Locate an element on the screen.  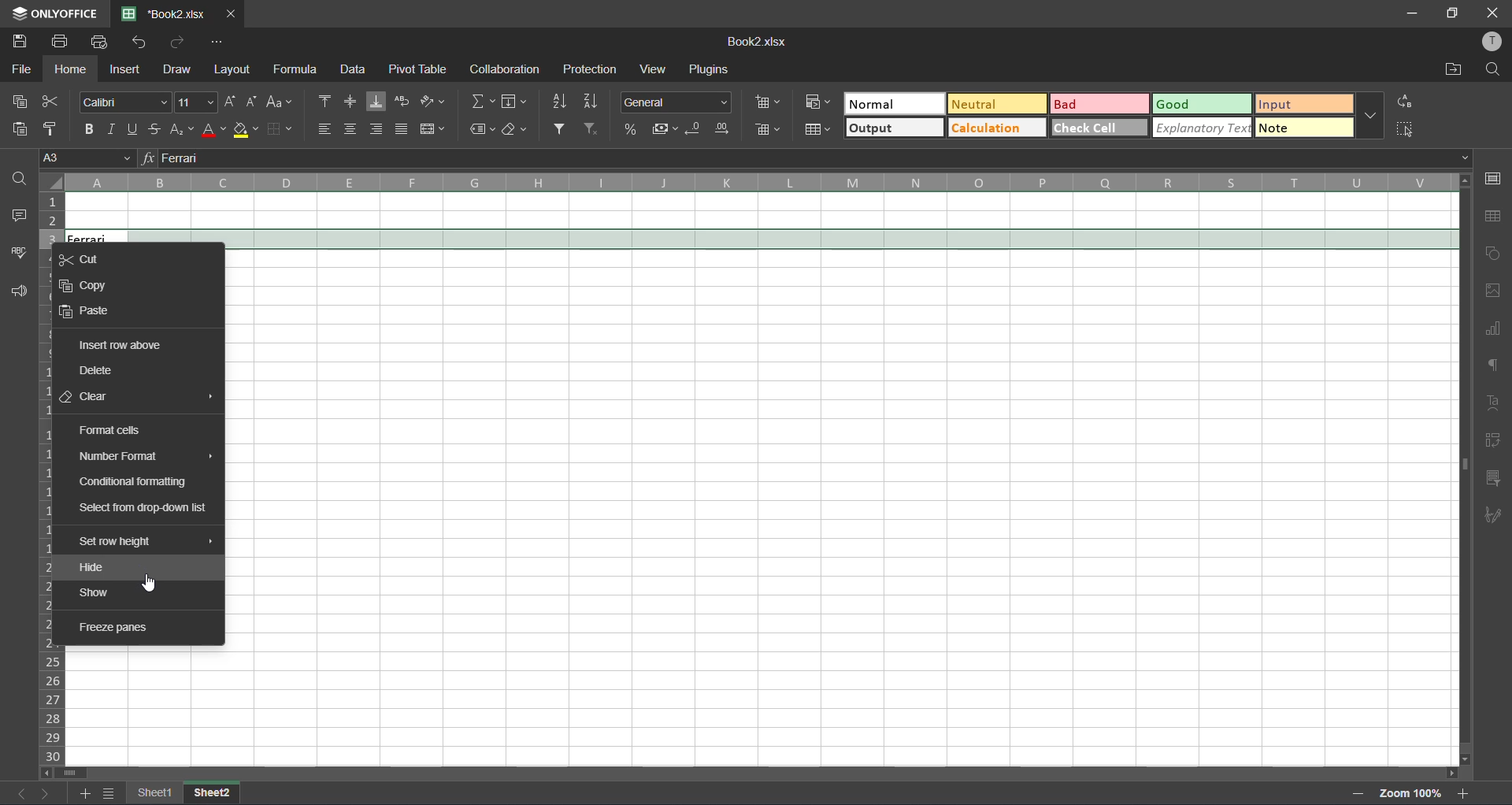
file name is located at coordinates (163, 13).